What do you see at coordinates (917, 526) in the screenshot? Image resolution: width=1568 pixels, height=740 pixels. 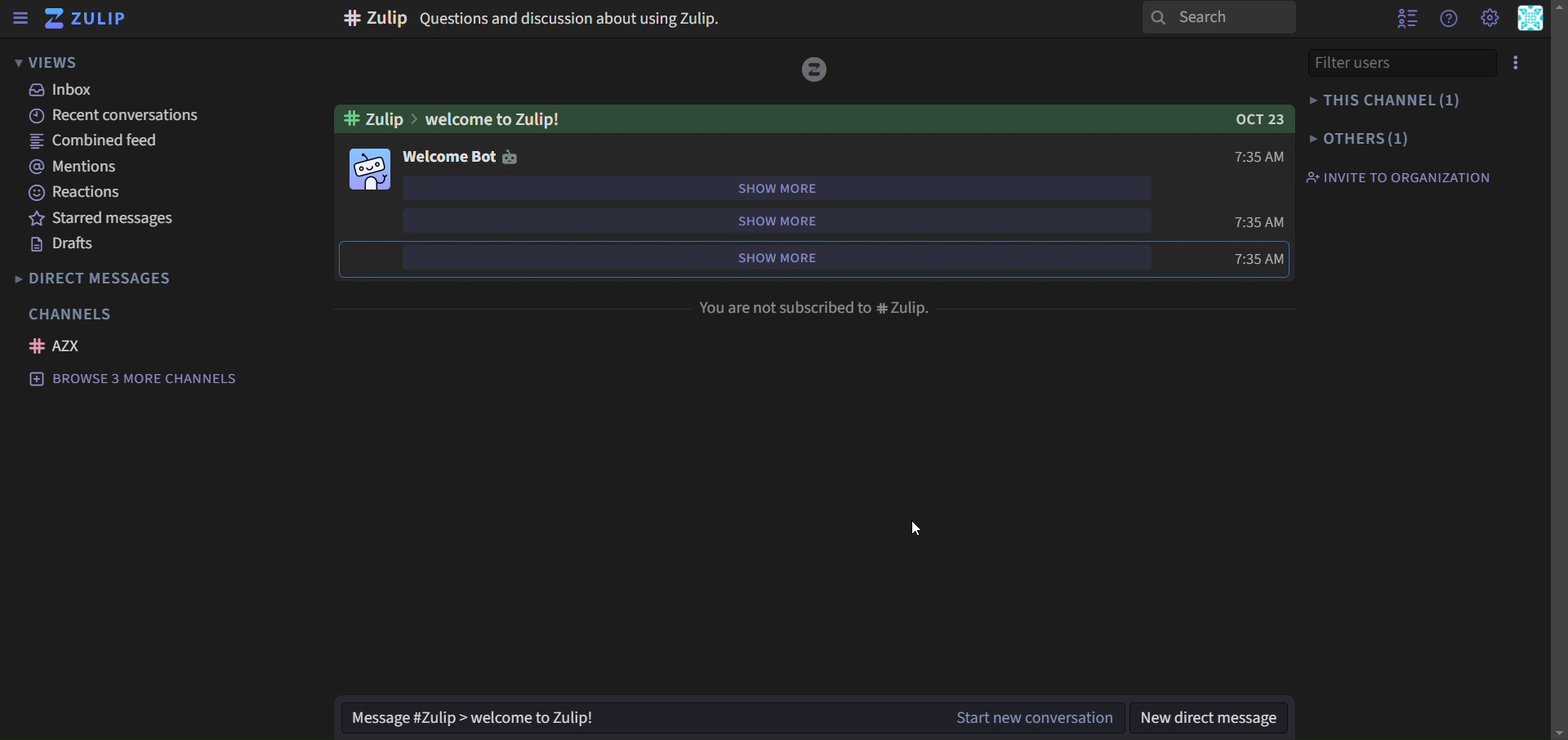 I see `cursor` at bounding box center [917, 526].